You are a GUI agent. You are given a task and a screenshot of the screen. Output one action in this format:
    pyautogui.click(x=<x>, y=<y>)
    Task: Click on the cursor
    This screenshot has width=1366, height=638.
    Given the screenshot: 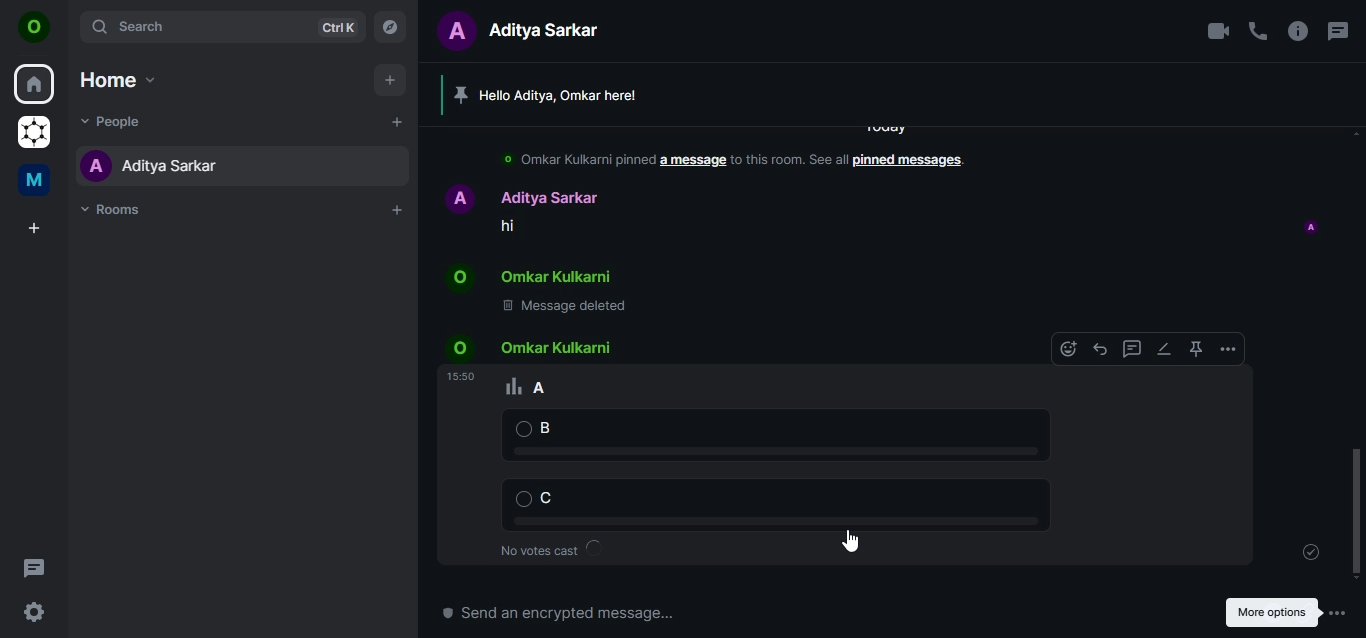 What is the action you would take?
    pyautogui.click(x=850, y=540)
    